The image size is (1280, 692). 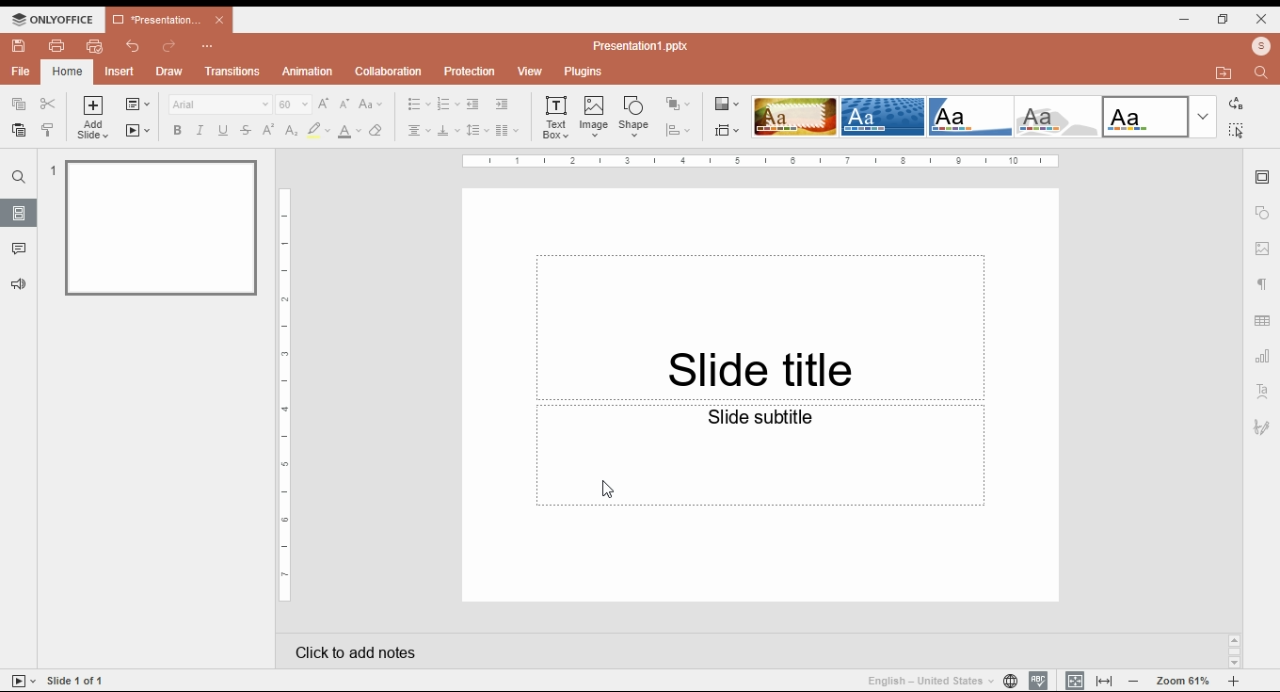 I want to click on align shape, so click(x=680, y=130).